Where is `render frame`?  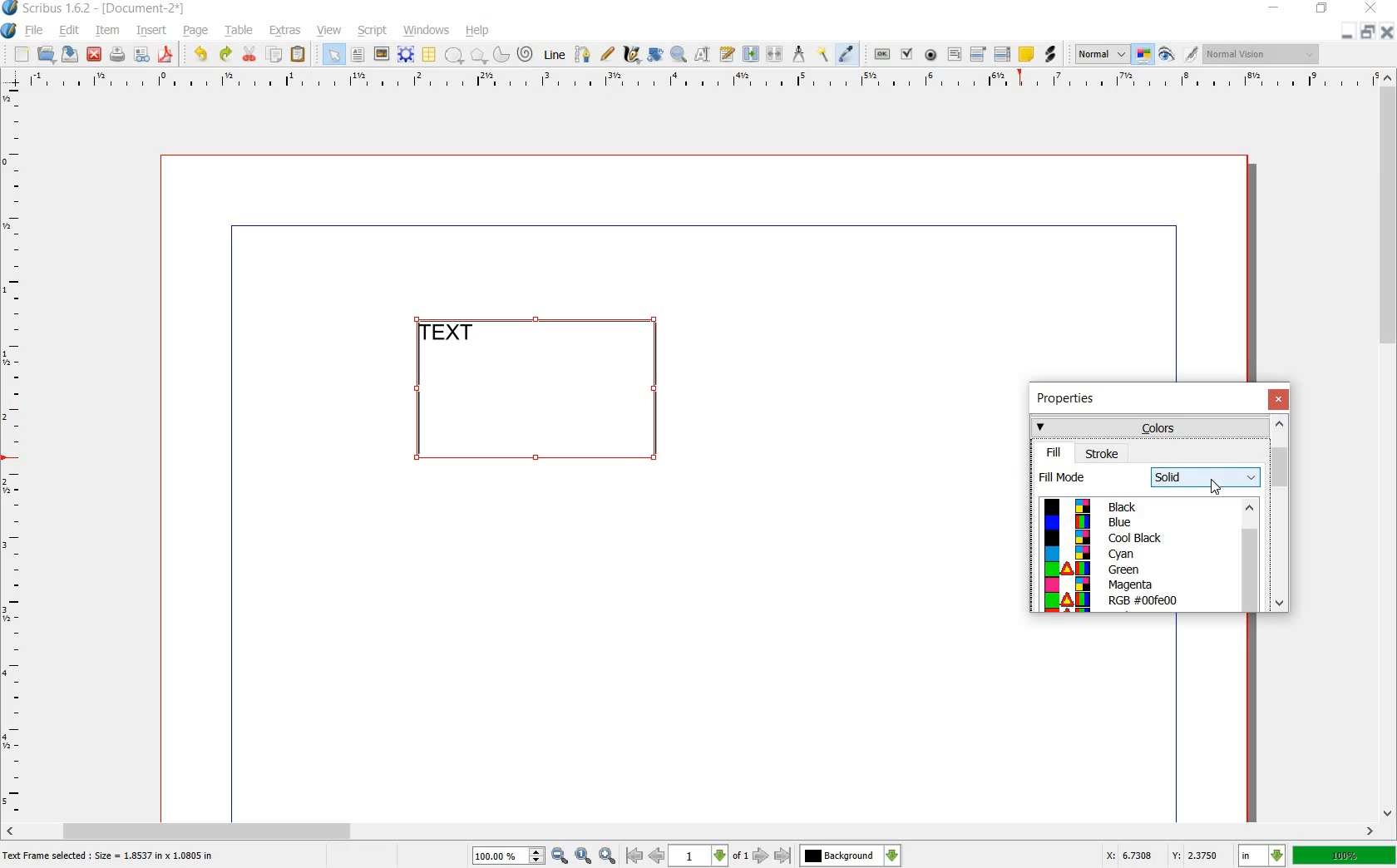 render frame is located at coordinates (406, 55).